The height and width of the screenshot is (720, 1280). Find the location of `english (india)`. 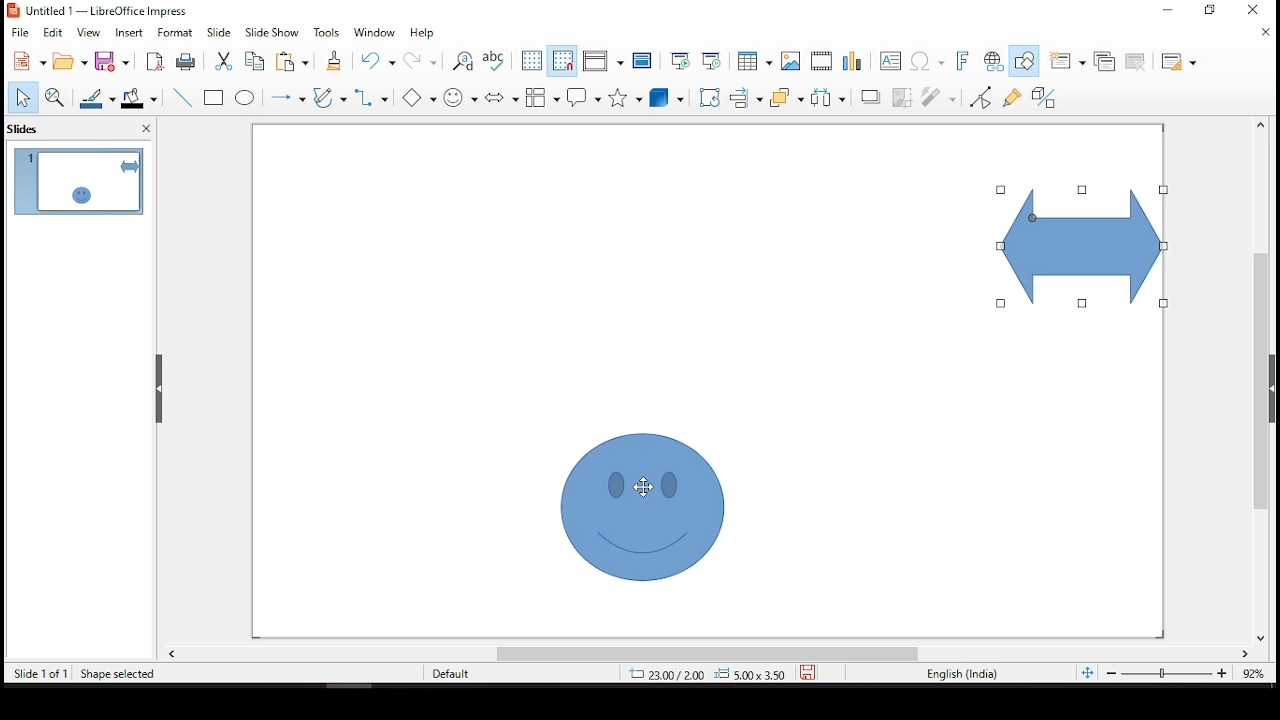

english (india) is located at coordinates (961, 672).